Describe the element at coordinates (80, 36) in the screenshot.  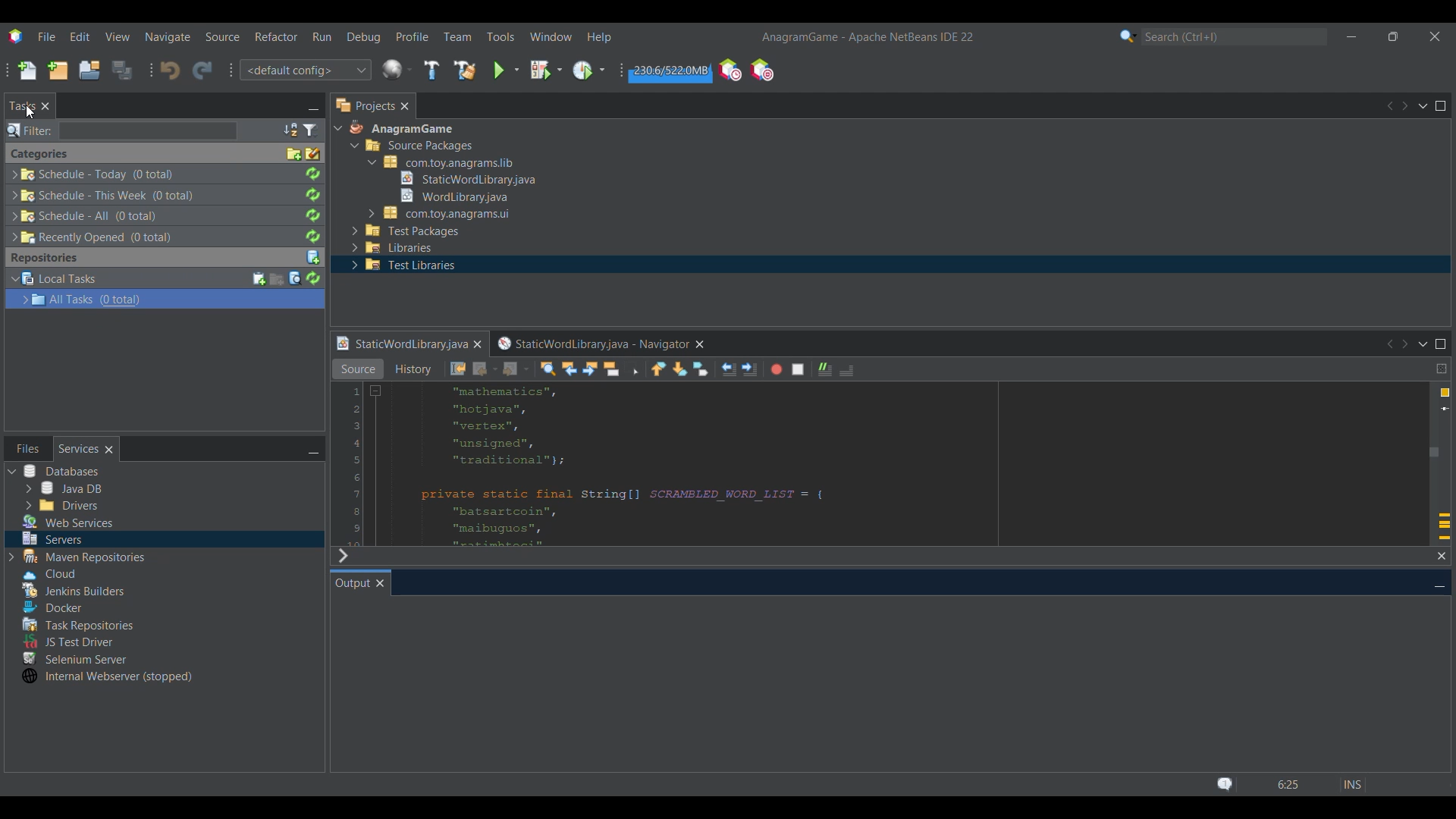
I see `Edit menu` at that location.